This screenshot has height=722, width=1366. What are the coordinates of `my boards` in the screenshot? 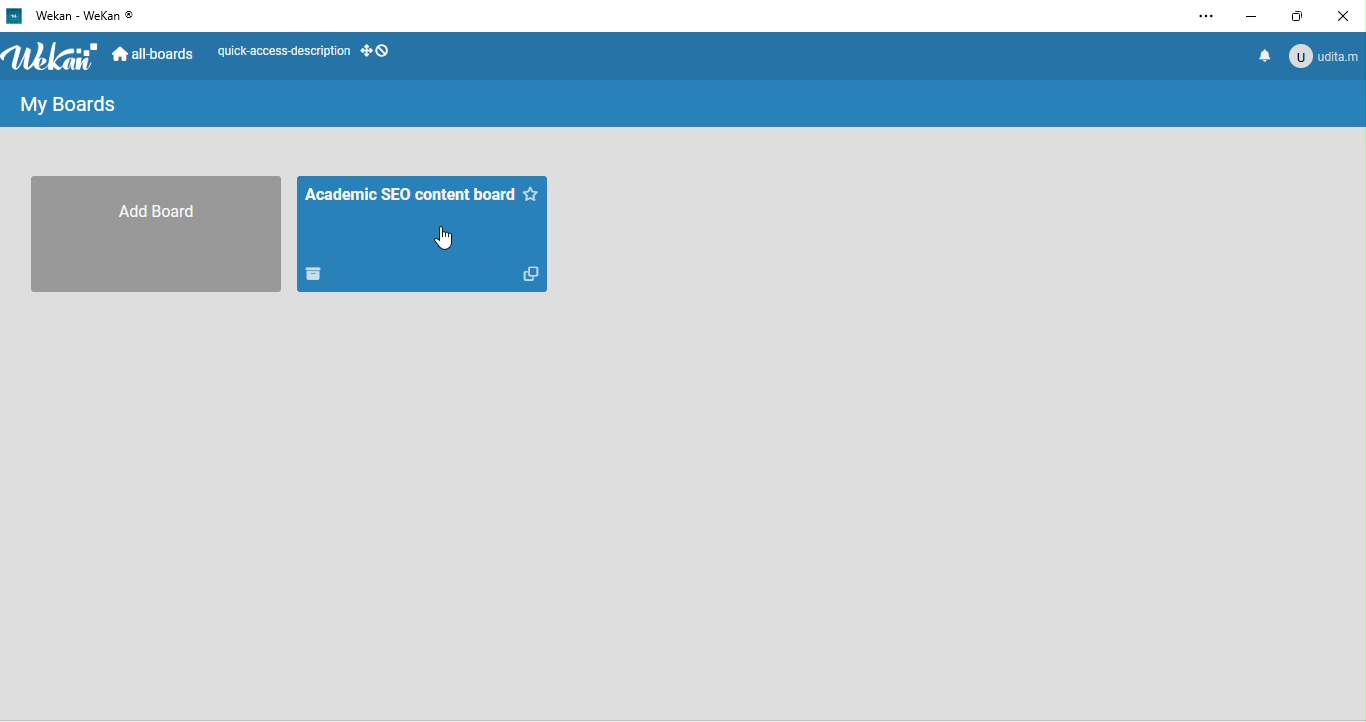 It's located at (72, 105).